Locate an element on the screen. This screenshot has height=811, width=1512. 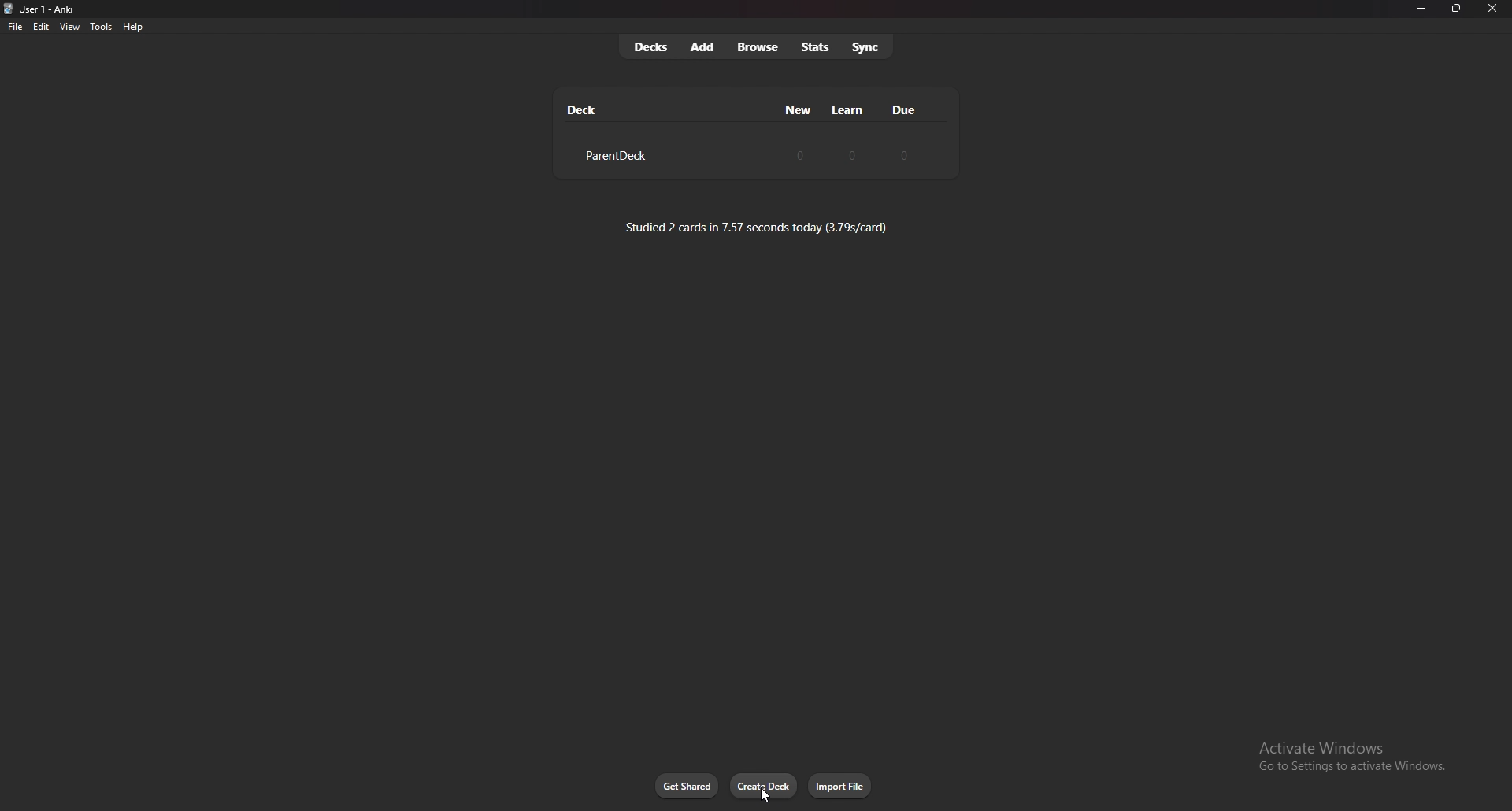
get shared is located at coordinates (687, 787).